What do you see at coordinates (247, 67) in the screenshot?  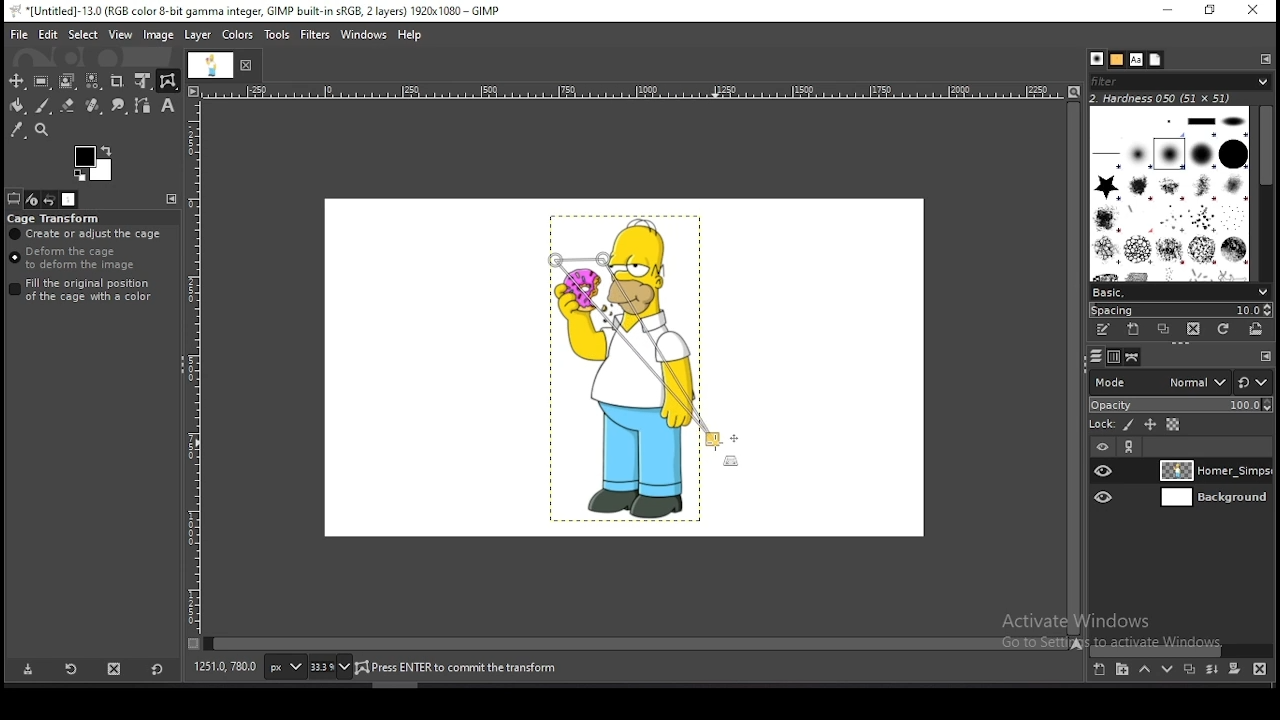 I see `close` at bounding box center [247, 67].